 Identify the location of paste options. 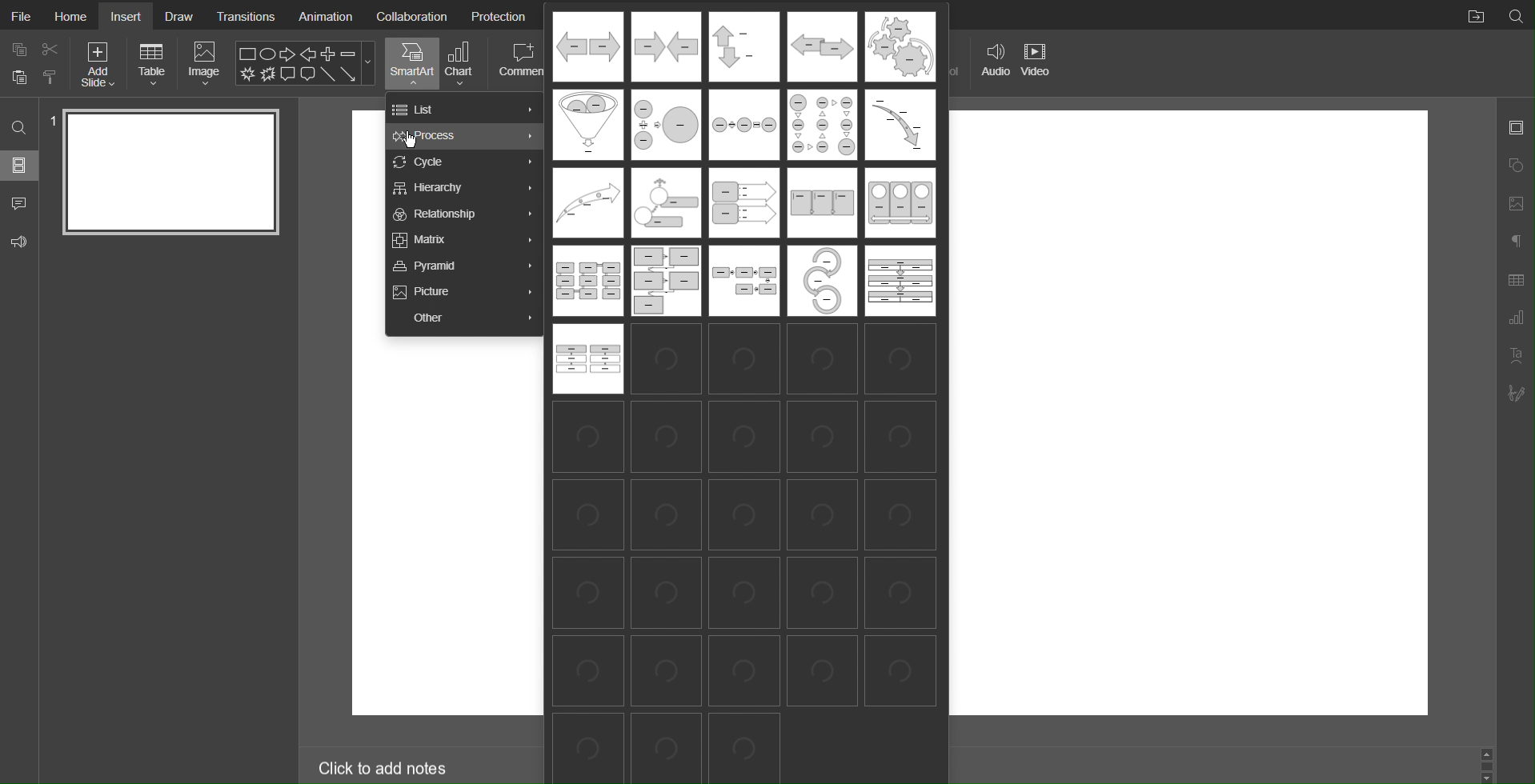
(51, 79).